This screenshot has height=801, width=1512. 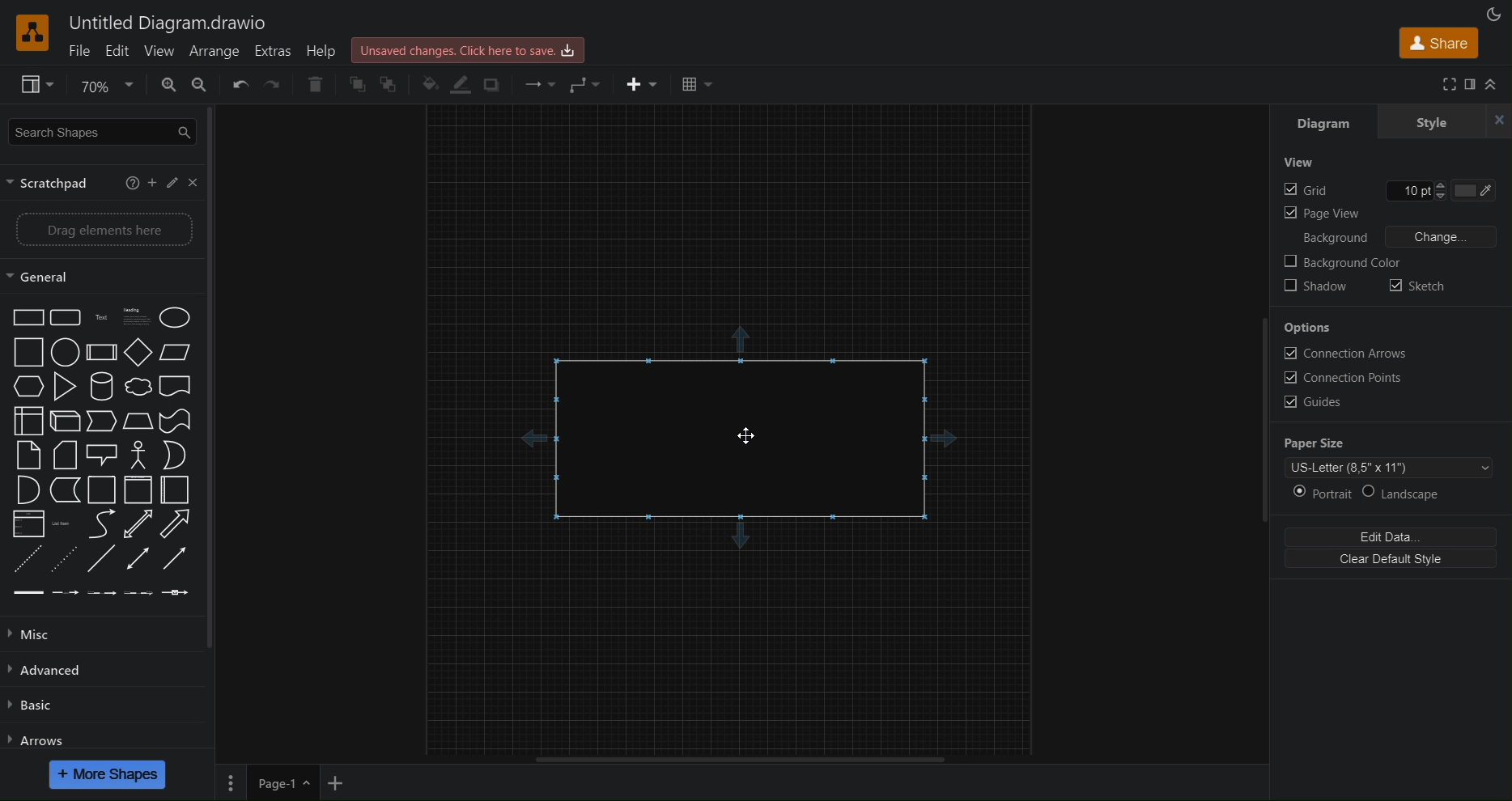 What do you see at coordinates (1315, 445) in the screenshot?
I see `Paper Size` at bounding box center [1315, 445].